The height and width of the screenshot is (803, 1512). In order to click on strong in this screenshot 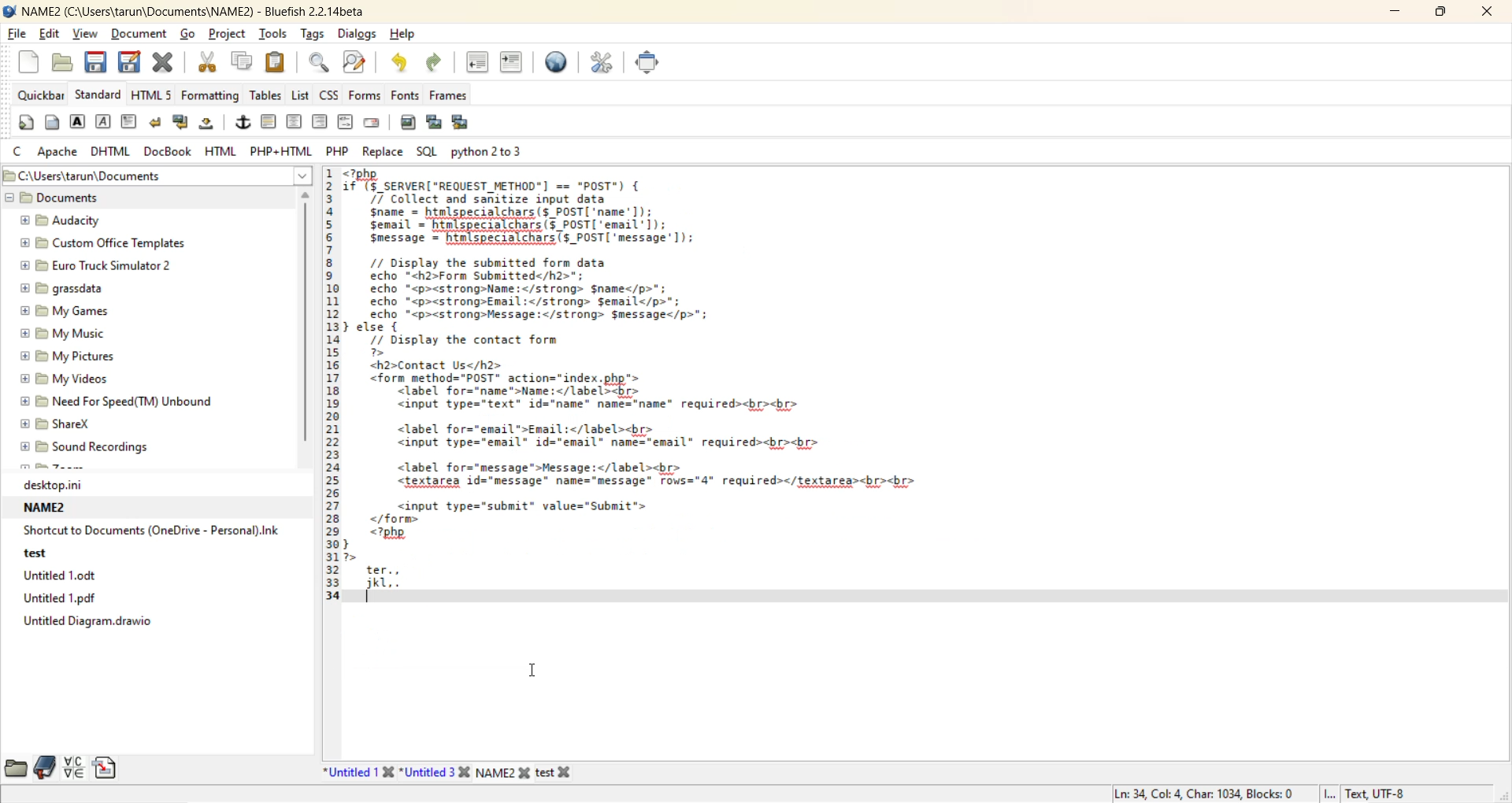, I will do `click(78, 122)`.